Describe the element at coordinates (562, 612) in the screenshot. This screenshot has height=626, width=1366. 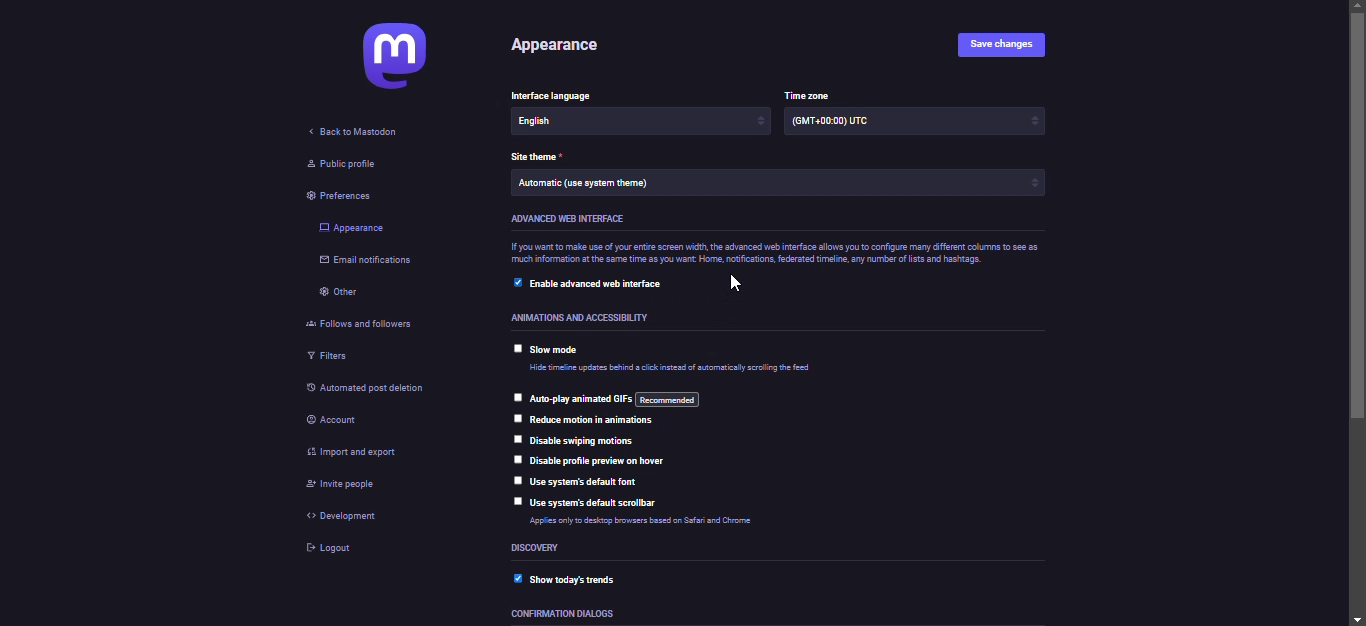
I see `confirmation dialogs` at that location.